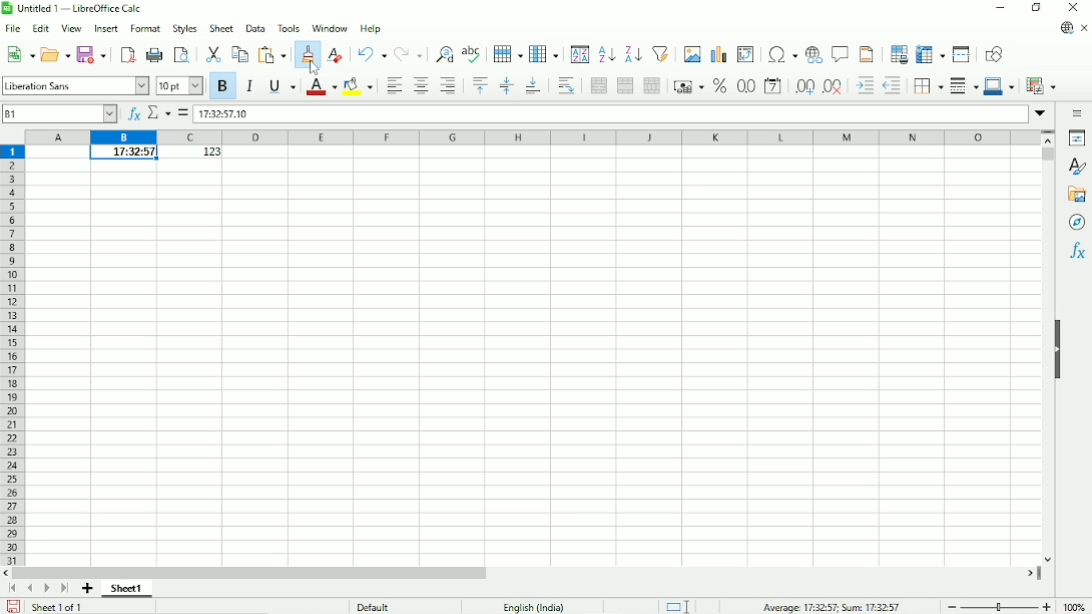 This screenshot has height=614, width=1092. Describe the element at coordinates (1078, 223) in the screenshot. I see `Navigator` at that location.